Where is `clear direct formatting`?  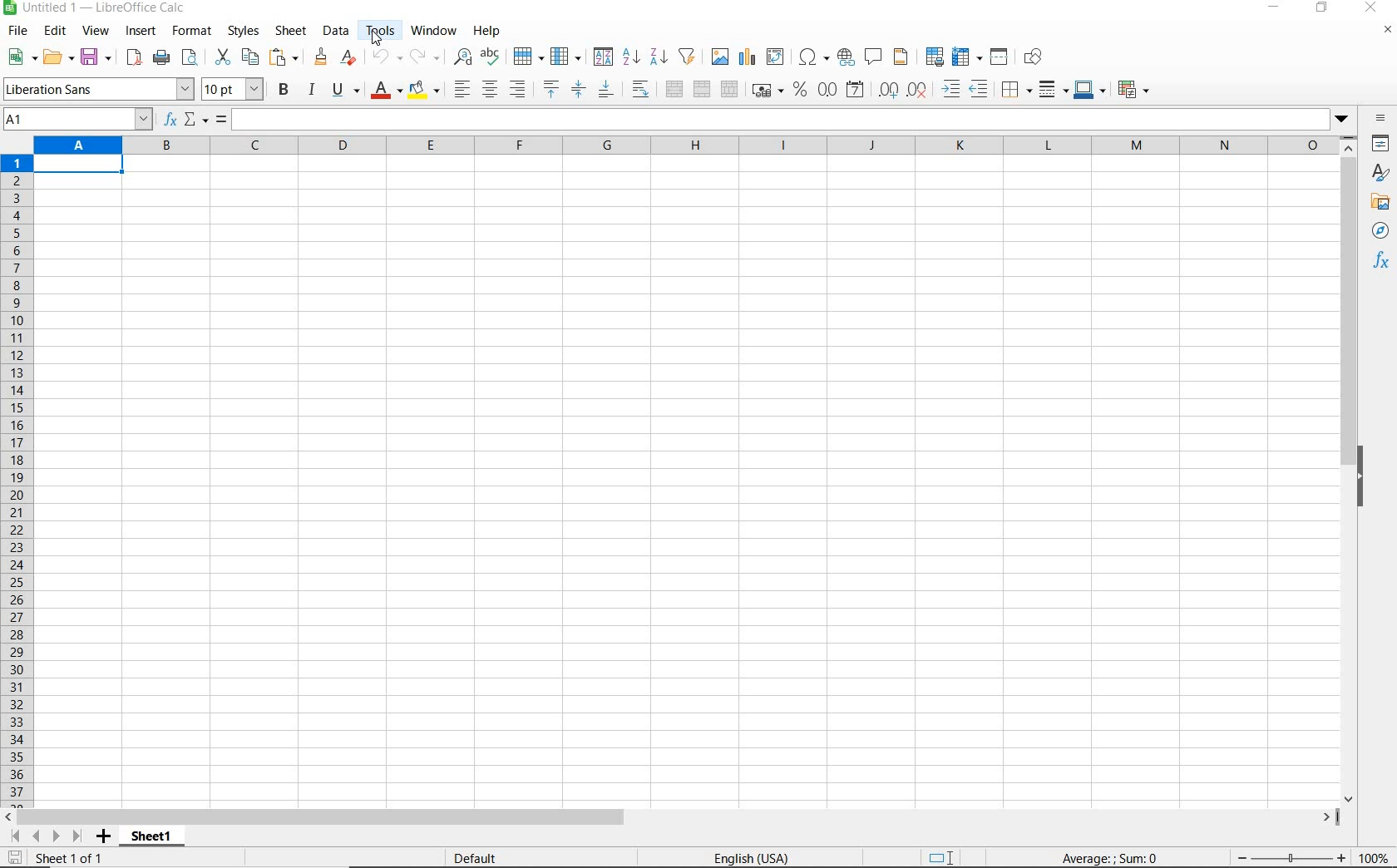 clear direct formatting is located at coordinates (348, 59).